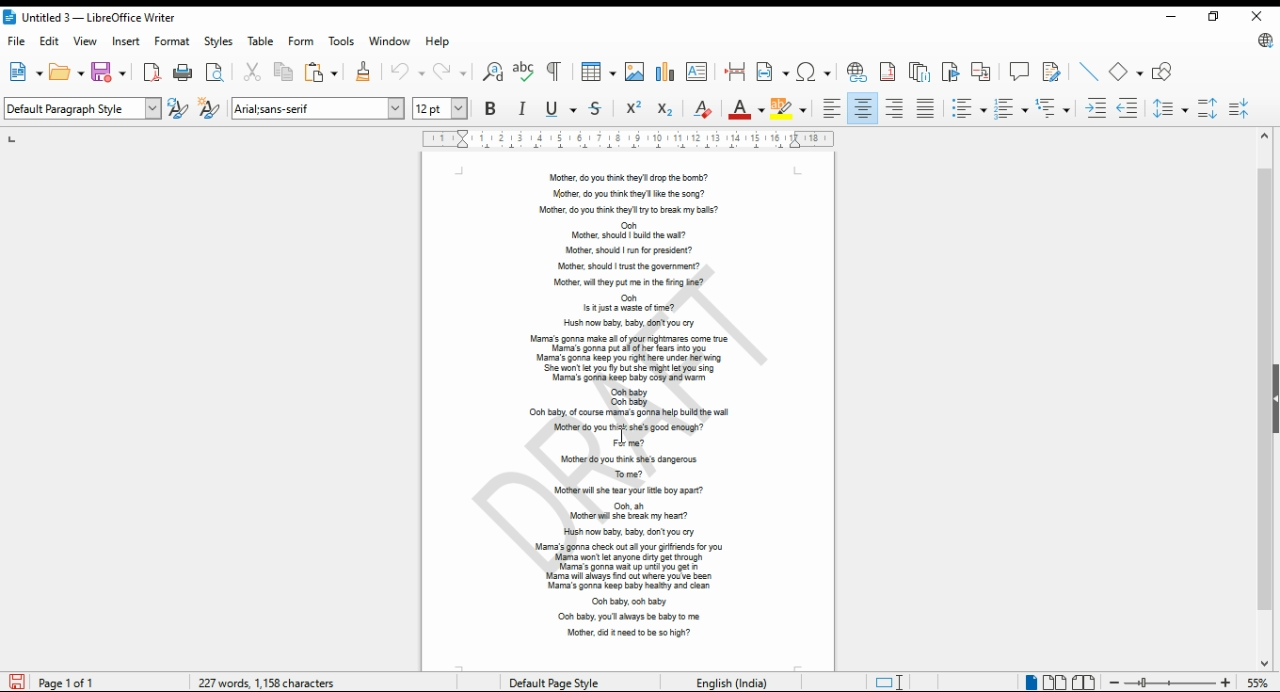  What do you see at coordinates (596, 107) in the screenshot?
I see `strikethrough` at bounding box center [596, 107].